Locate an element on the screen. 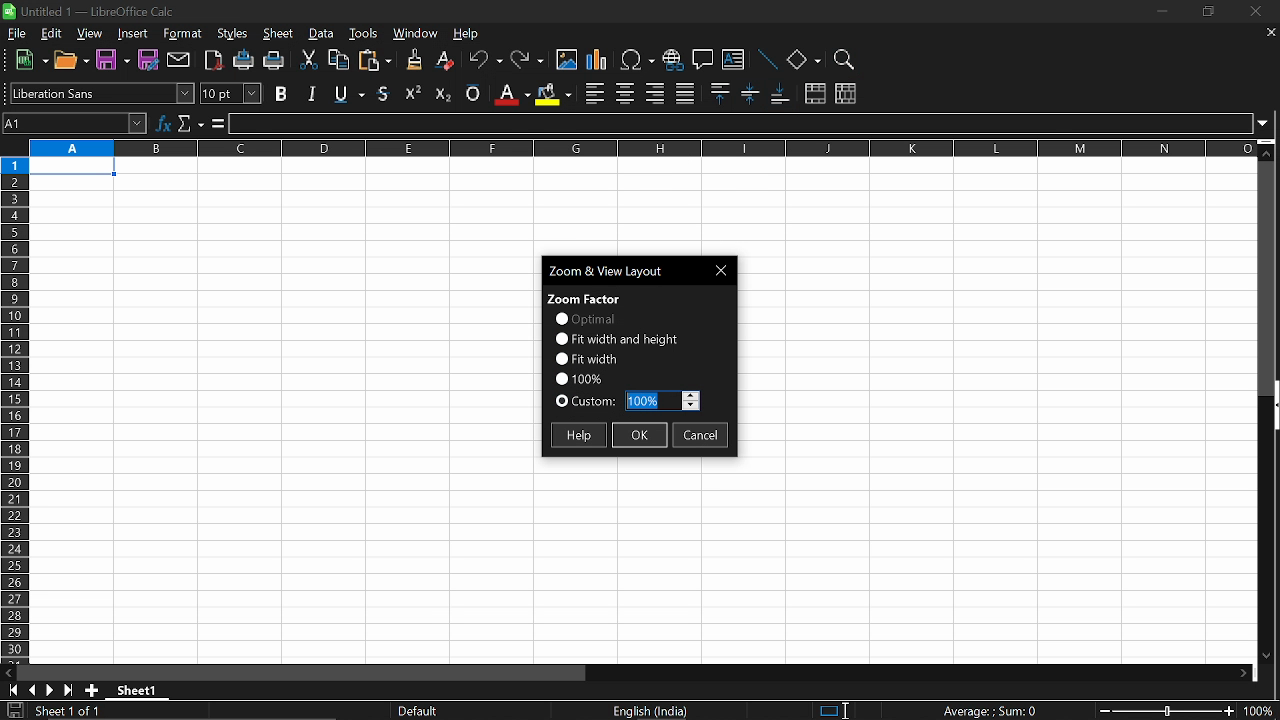  sheet is located at coordinates (279, 35).